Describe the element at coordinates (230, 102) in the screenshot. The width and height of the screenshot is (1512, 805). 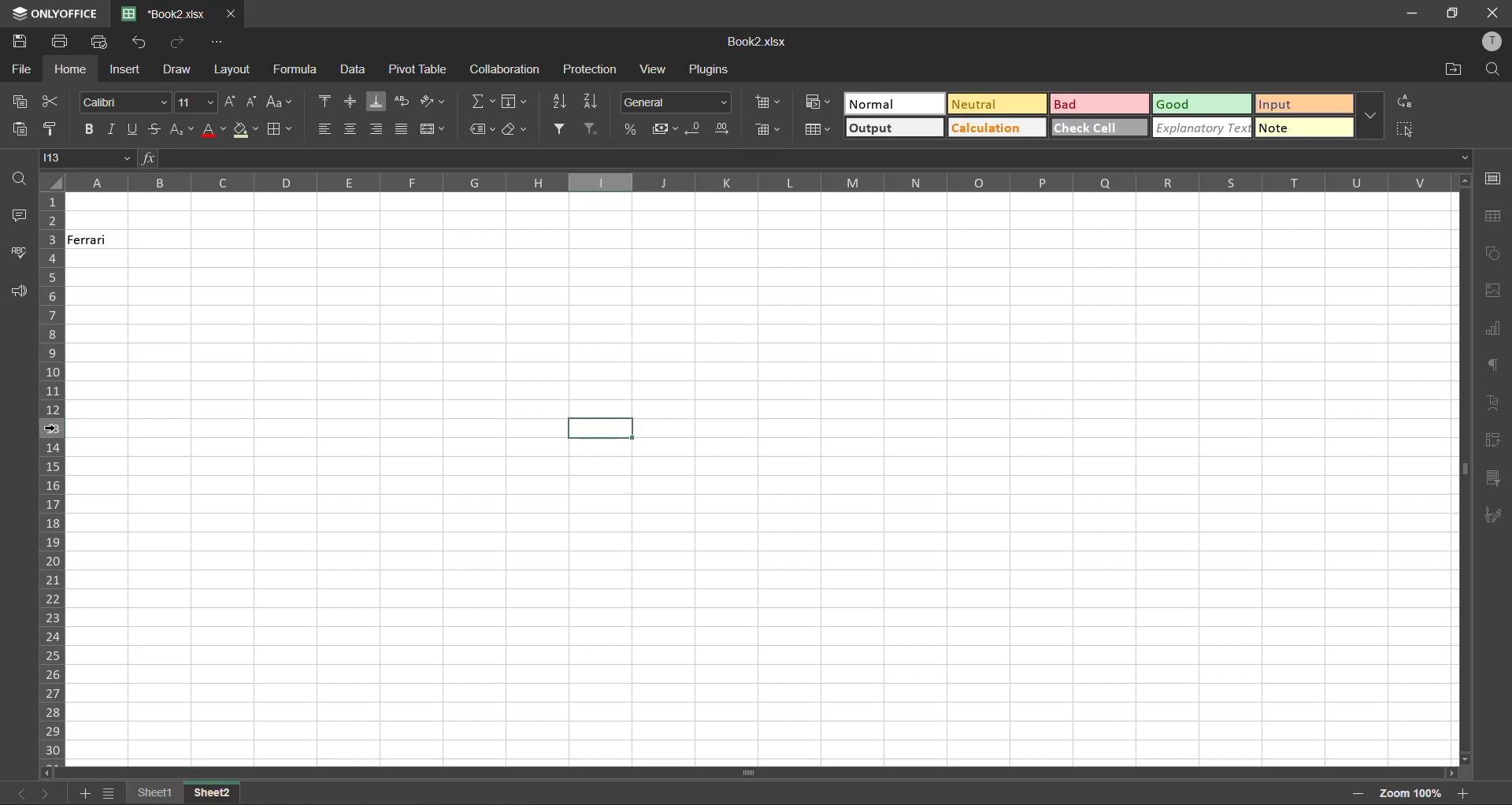
I see `increment size` at that location.